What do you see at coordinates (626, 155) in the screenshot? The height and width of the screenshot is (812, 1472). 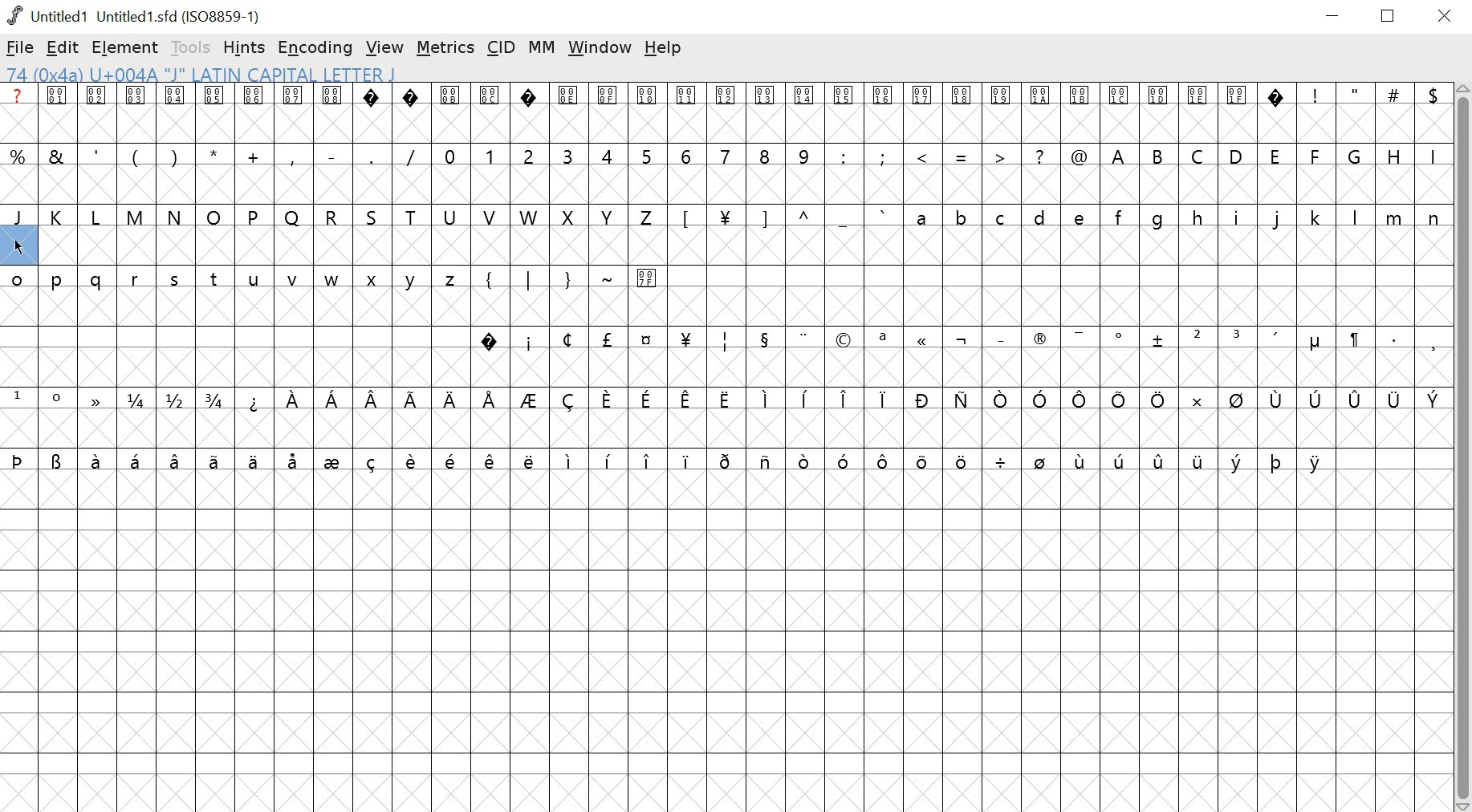 I see `numbers` at bounding box center [626, 155].